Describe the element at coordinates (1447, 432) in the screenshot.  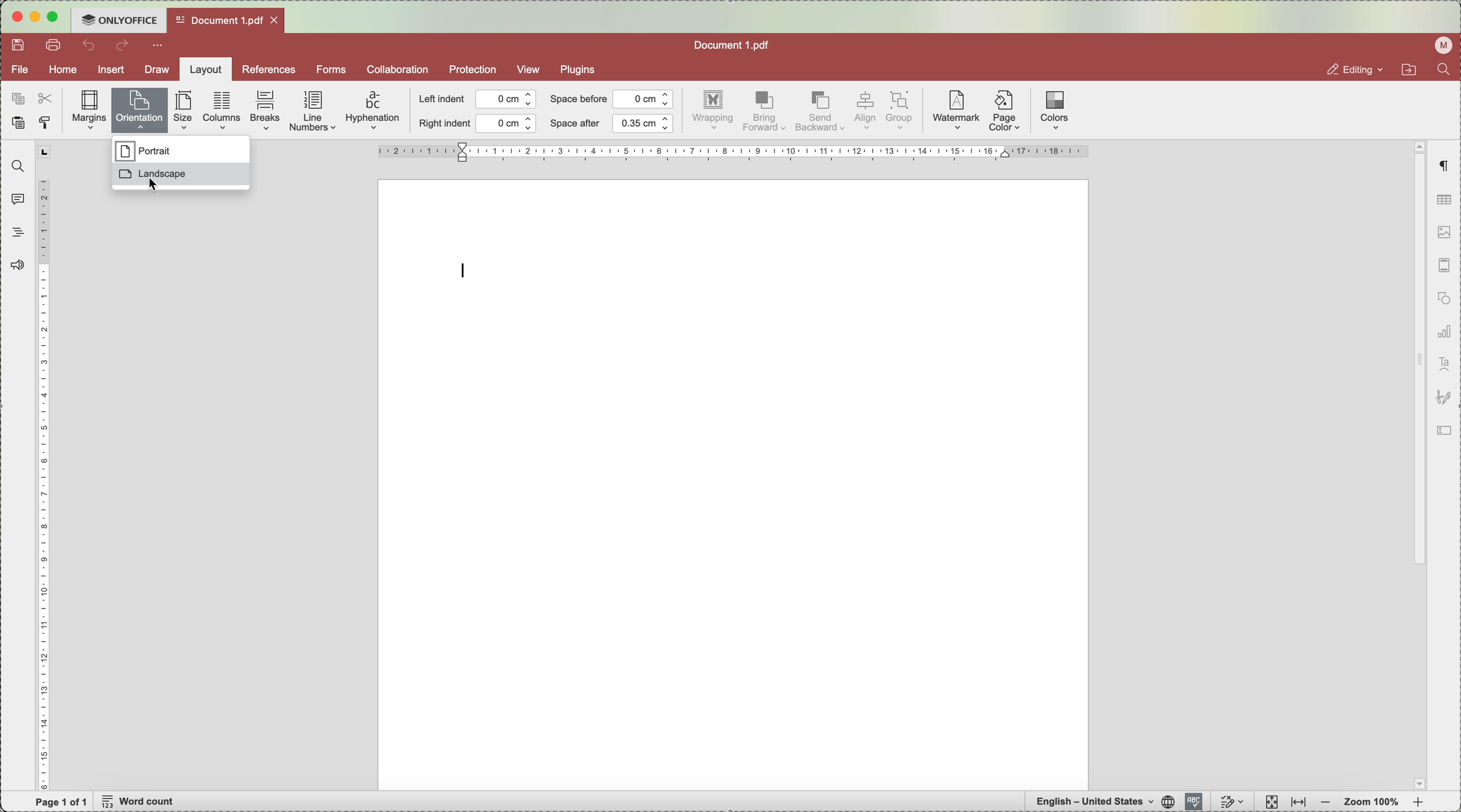
I see `icon` at that location.